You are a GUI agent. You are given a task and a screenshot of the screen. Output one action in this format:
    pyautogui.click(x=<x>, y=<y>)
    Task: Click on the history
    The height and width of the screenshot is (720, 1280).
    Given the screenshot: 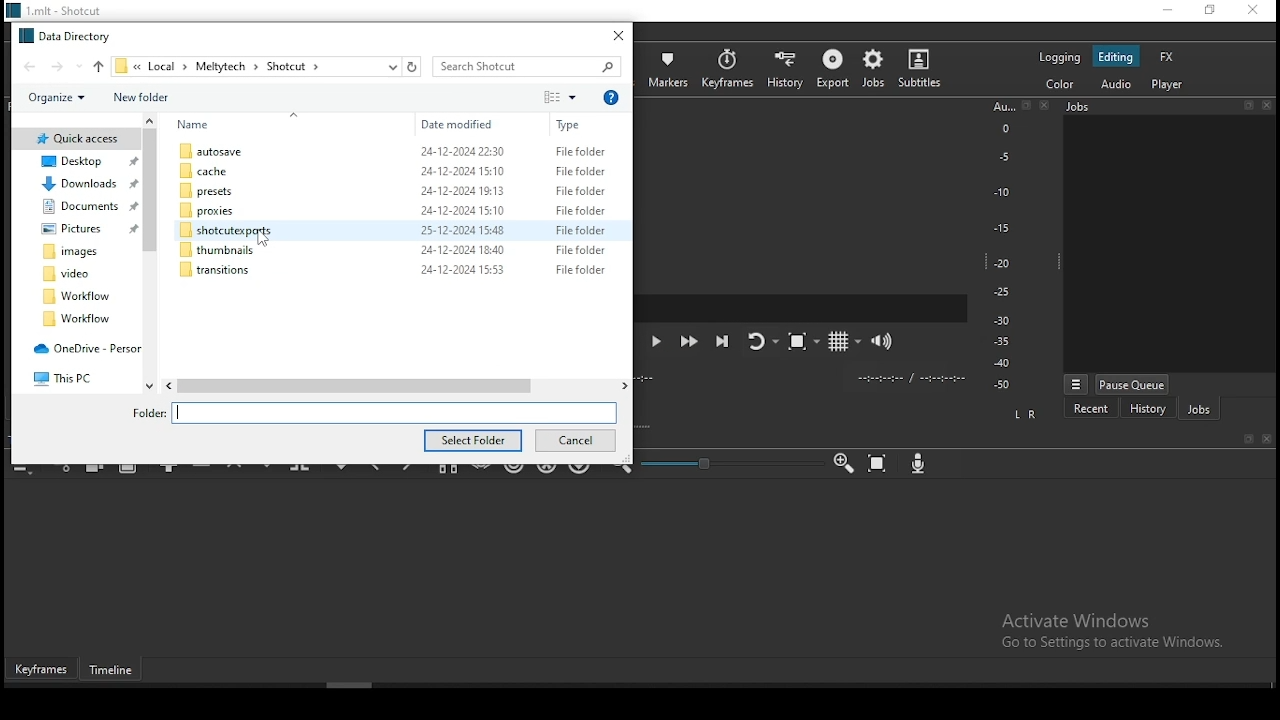 What is the action you would take?
    pyautogui.click(x=1148, y=409)
    